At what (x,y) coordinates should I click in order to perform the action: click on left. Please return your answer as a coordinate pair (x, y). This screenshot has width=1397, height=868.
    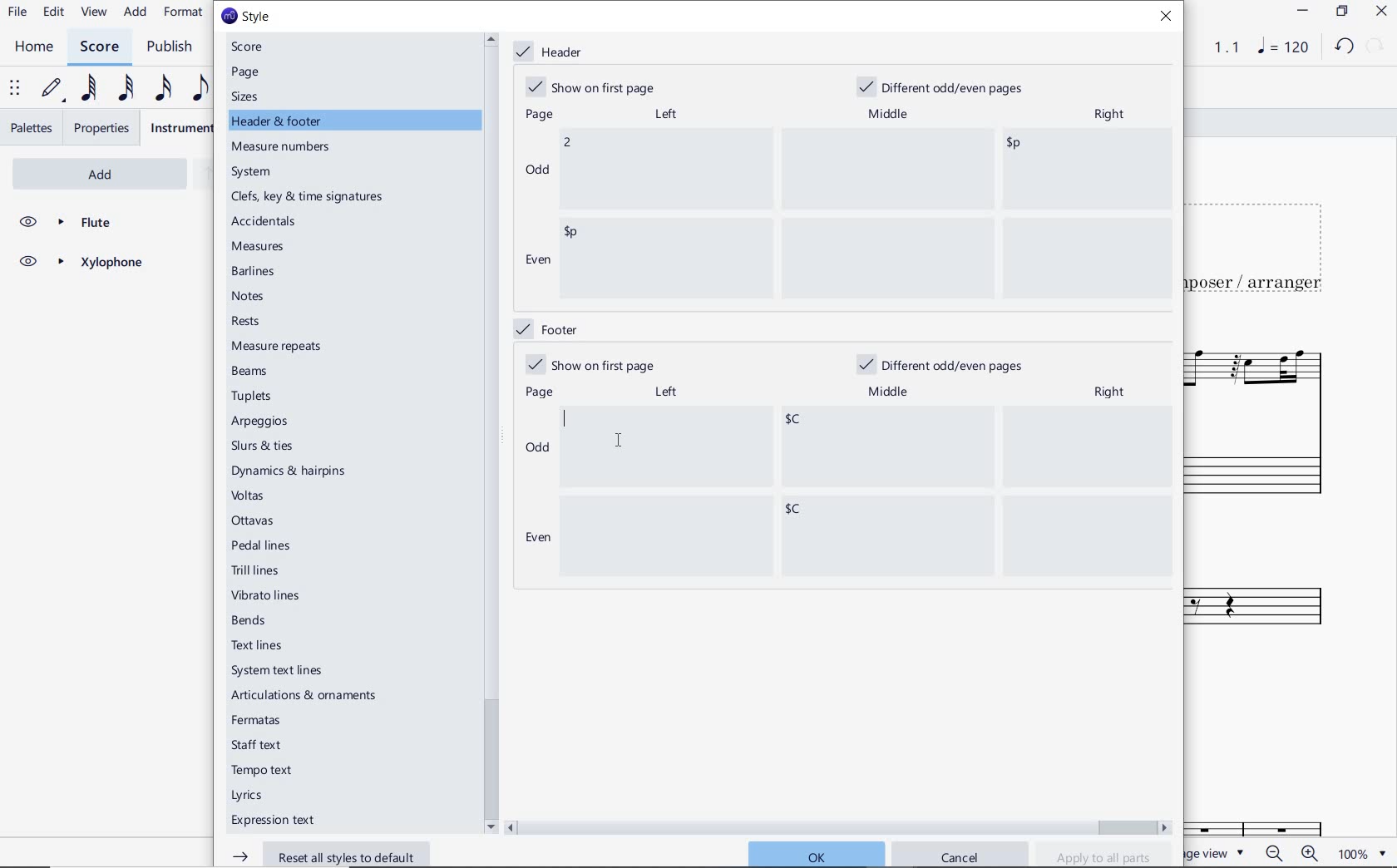
    Looking at the image, I should click on (665, 392).